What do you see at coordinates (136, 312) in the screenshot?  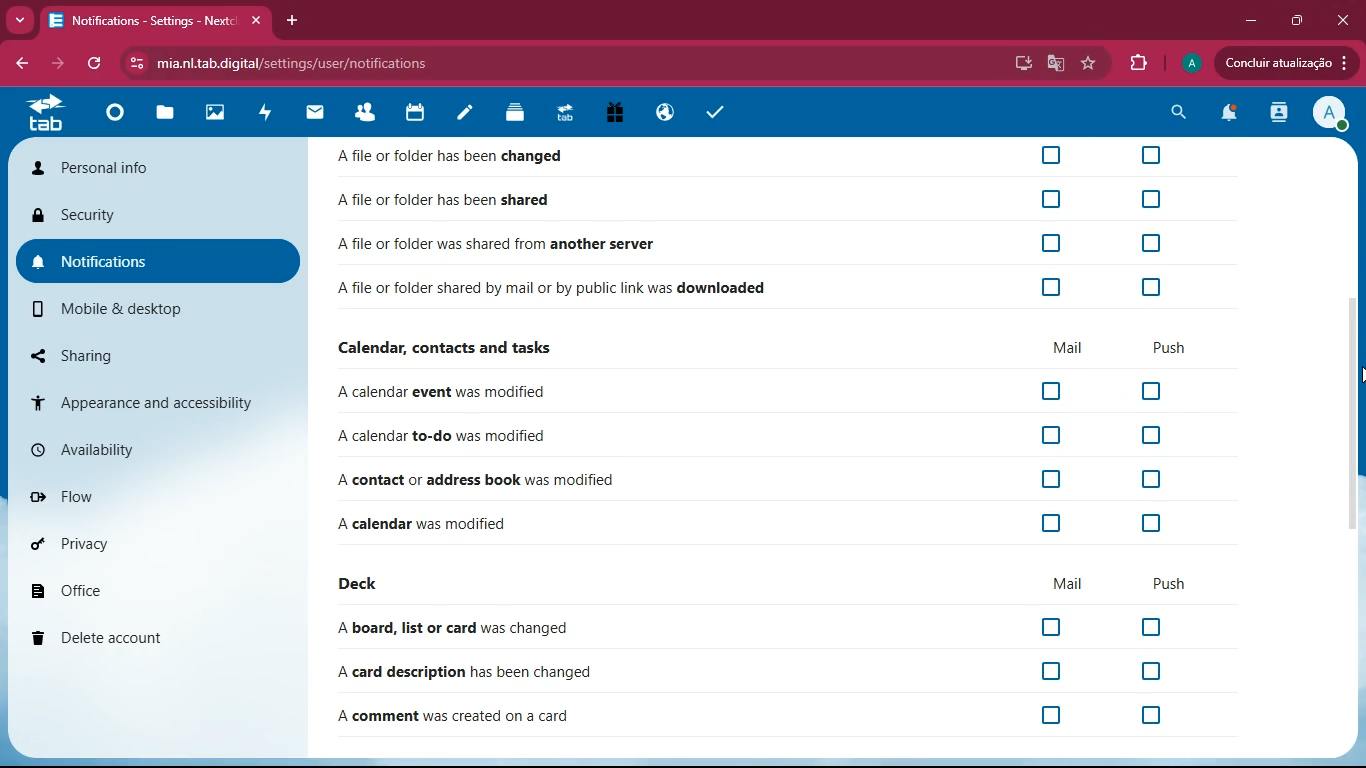 I see `mobile & desktop` at bounding box center [136, 312].